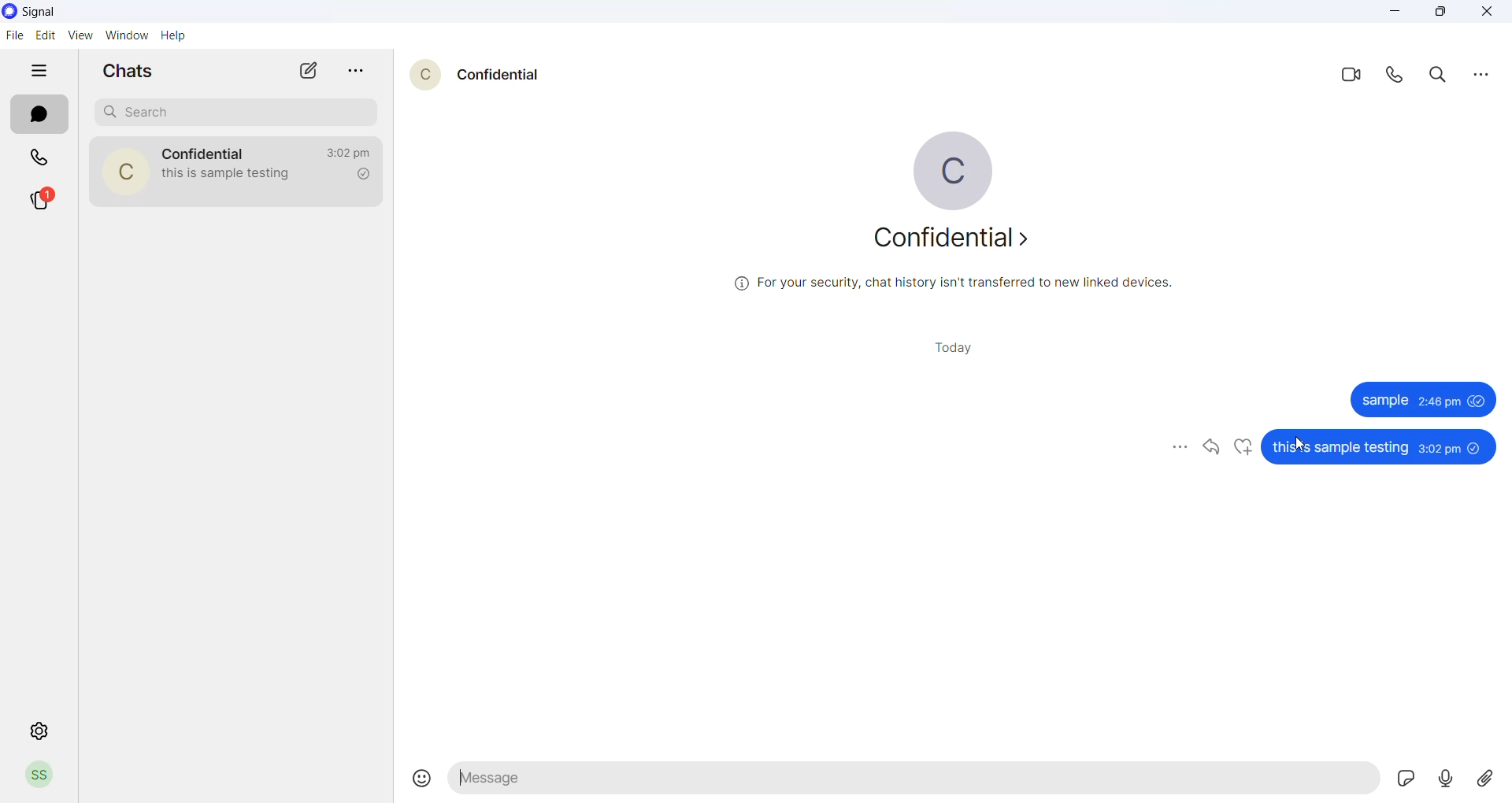  I want to click on share attachment, so click(1483, 782).